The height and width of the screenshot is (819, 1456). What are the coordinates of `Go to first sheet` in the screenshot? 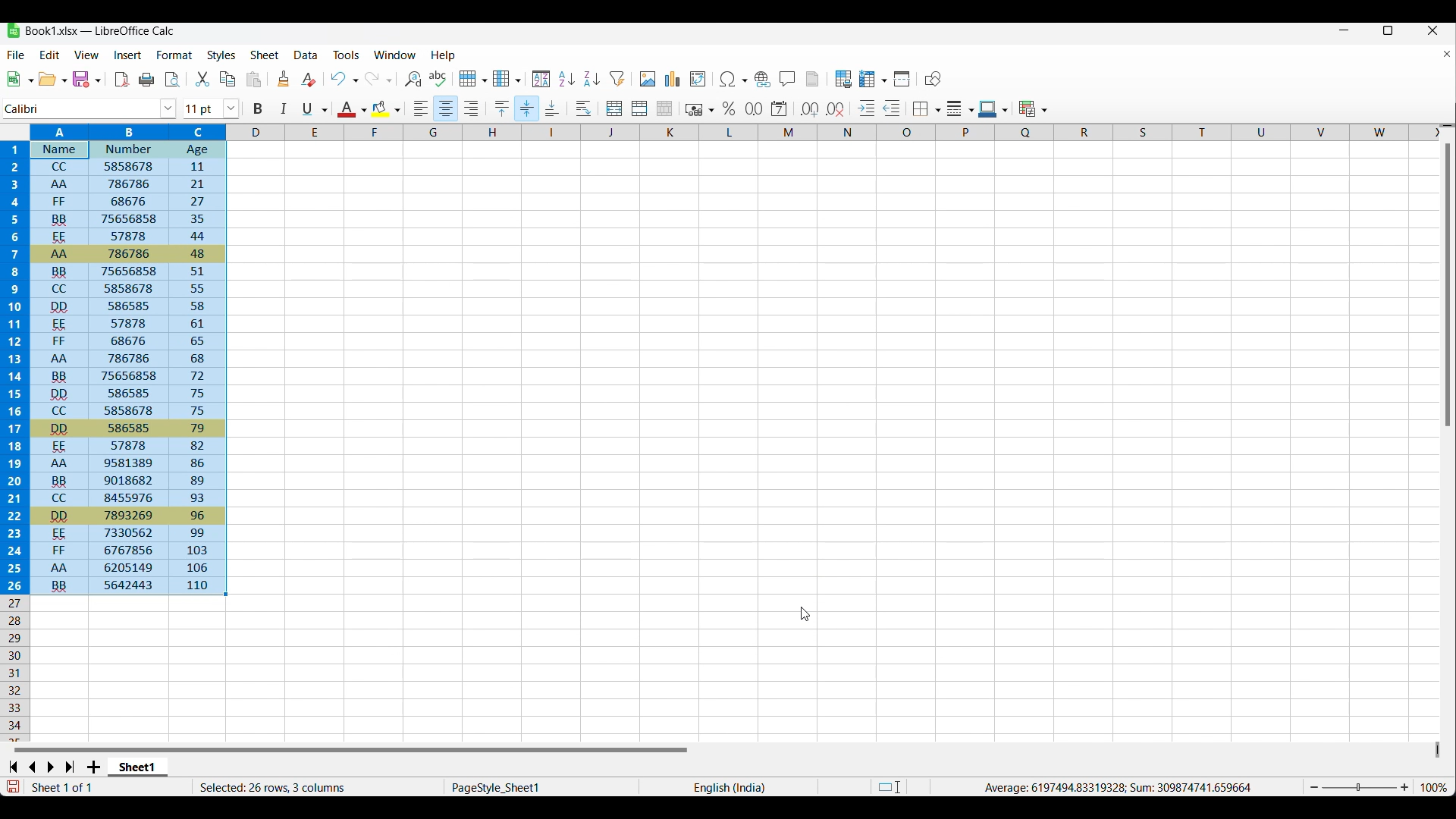 It's located at (12, 767).